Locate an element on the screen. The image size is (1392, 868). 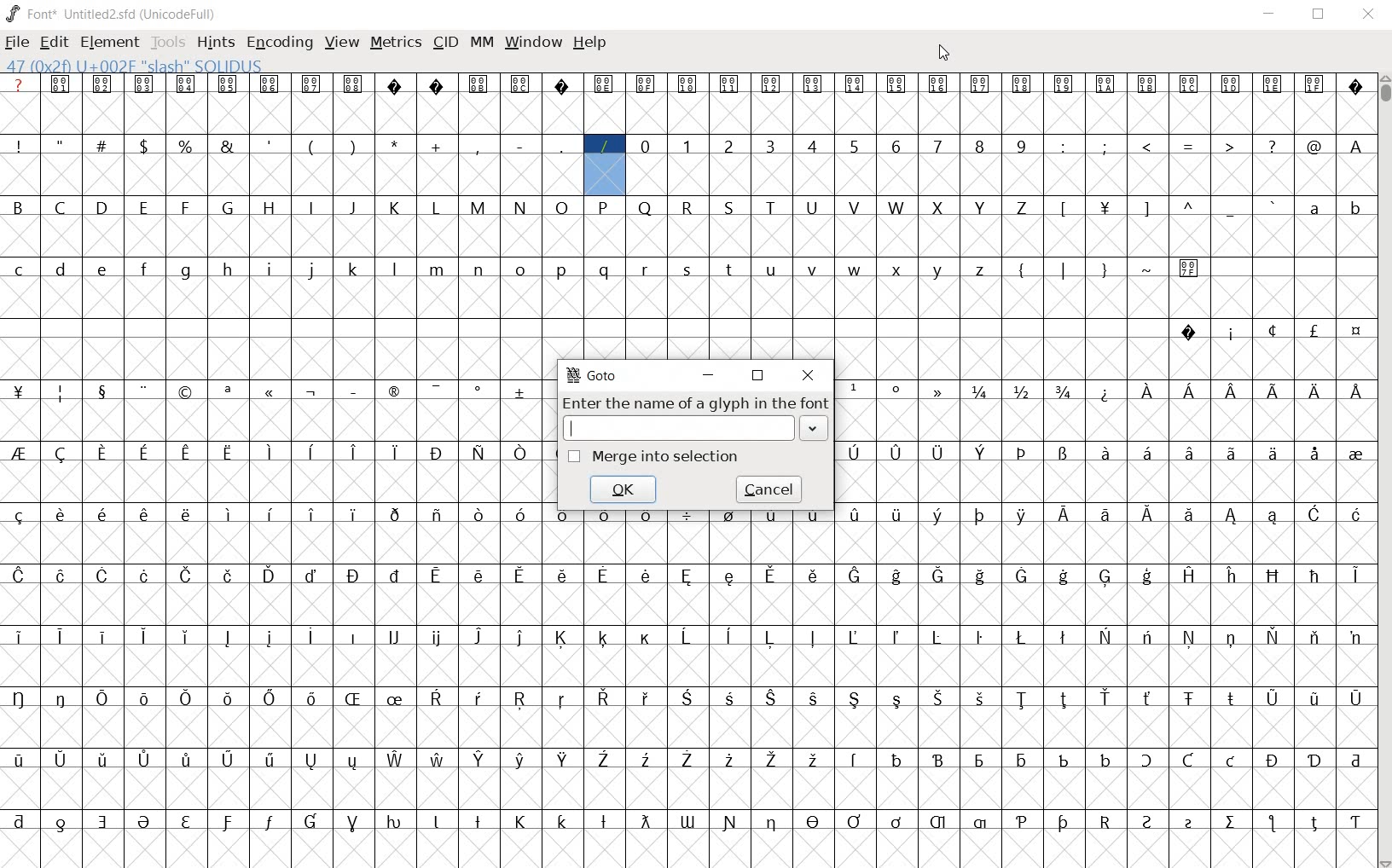
glyph is located at coordinates (1189, 84).